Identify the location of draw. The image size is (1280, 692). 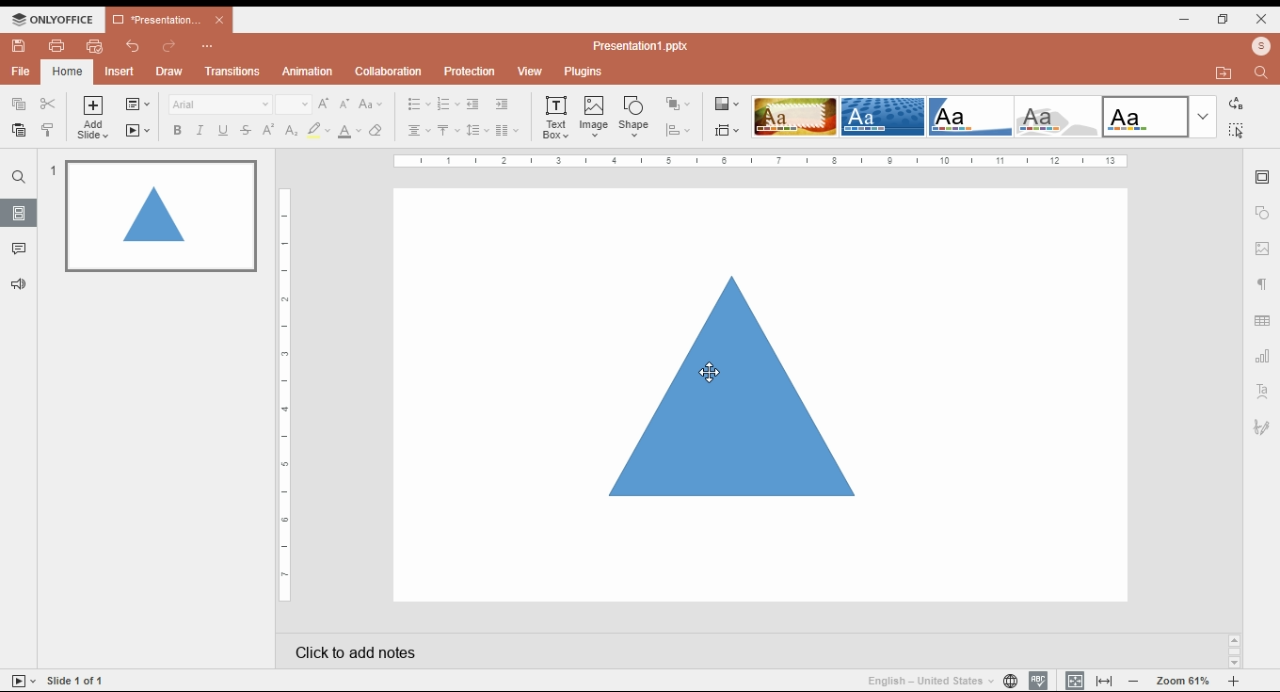
(171, 72).